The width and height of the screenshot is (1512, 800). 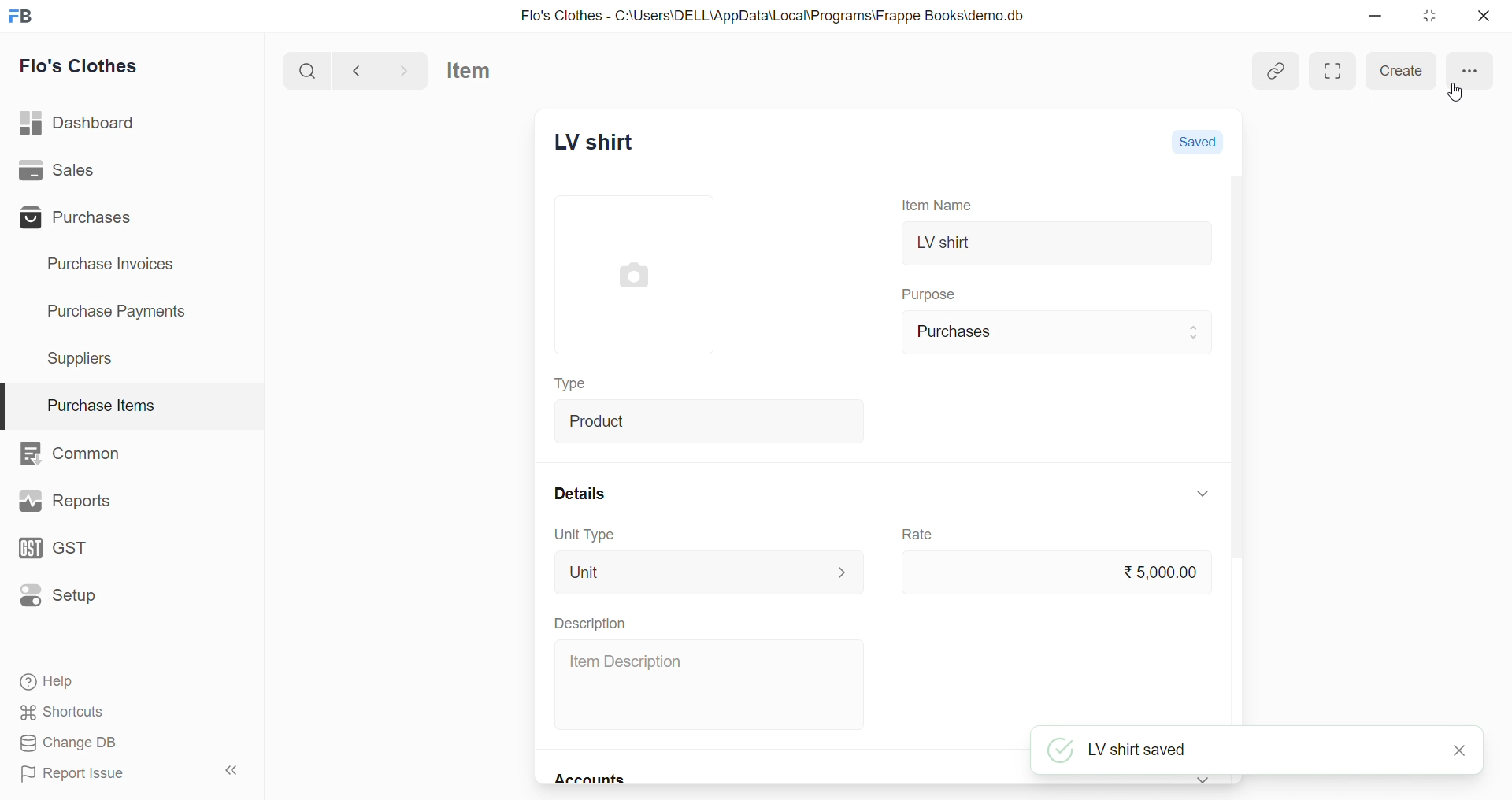 I want to click on search, so click(x=306, y=69).